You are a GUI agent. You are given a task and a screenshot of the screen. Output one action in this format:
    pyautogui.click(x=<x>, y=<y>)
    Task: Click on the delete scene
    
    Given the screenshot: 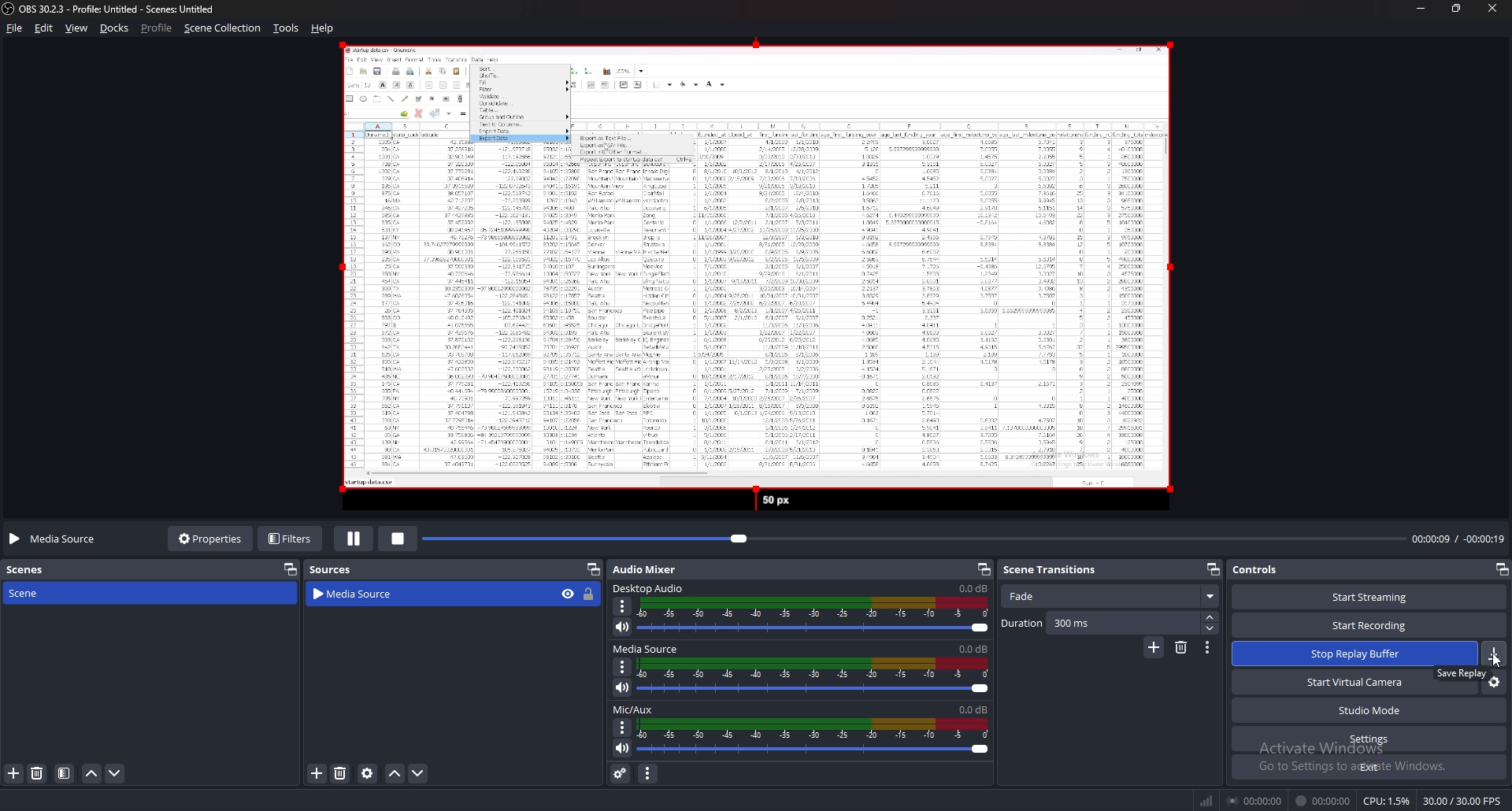 What is the action you would take?
    pyautogui.click(x=37, y=772)
    